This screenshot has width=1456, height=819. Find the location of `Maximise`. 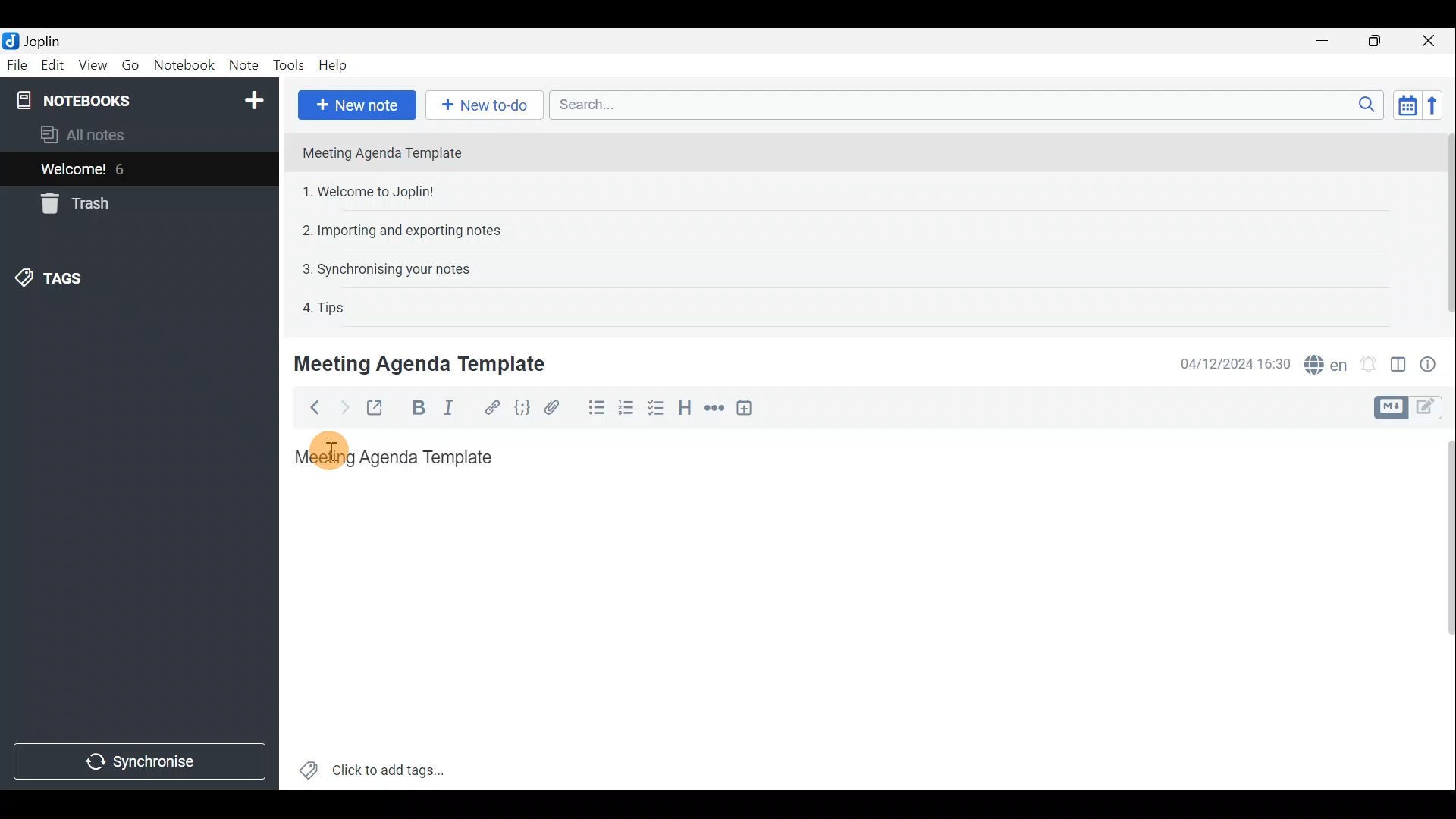

Maximise is located at coordinates (1376, 42).